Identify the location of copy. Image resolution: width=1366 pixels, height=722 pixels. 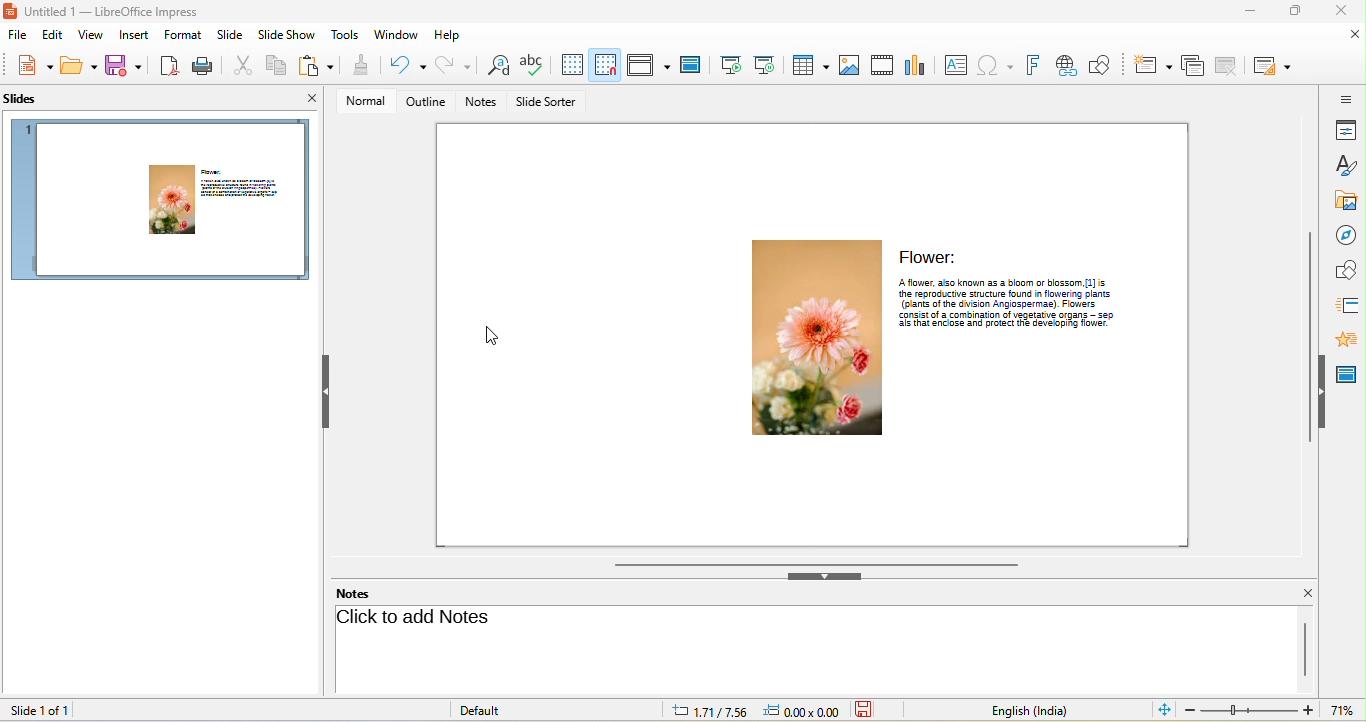
(273, 64).